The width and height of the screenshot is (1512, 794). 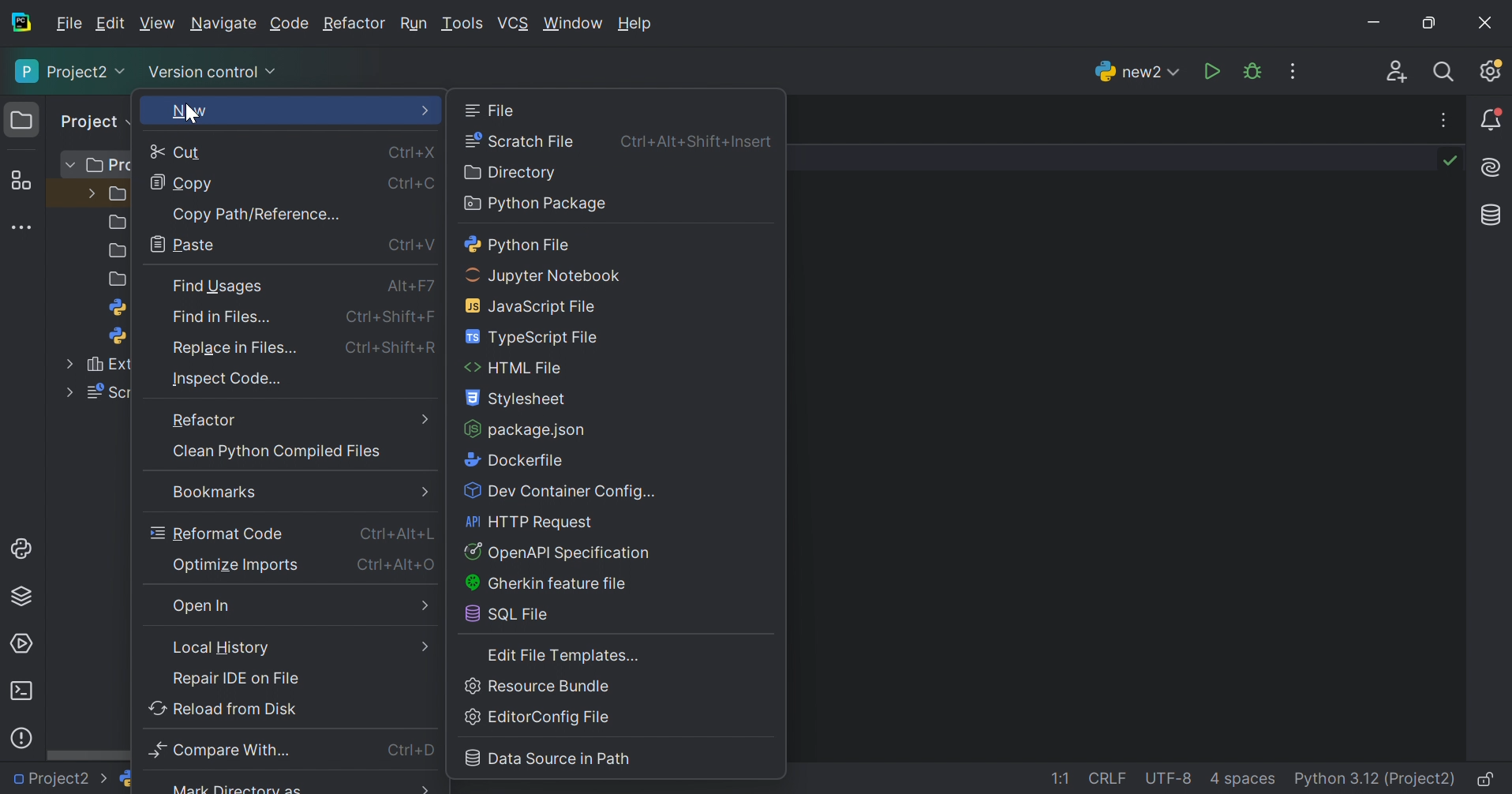 I want to click on Ctrl+Alt+Shift+Insert, so click(x=699, y=140).